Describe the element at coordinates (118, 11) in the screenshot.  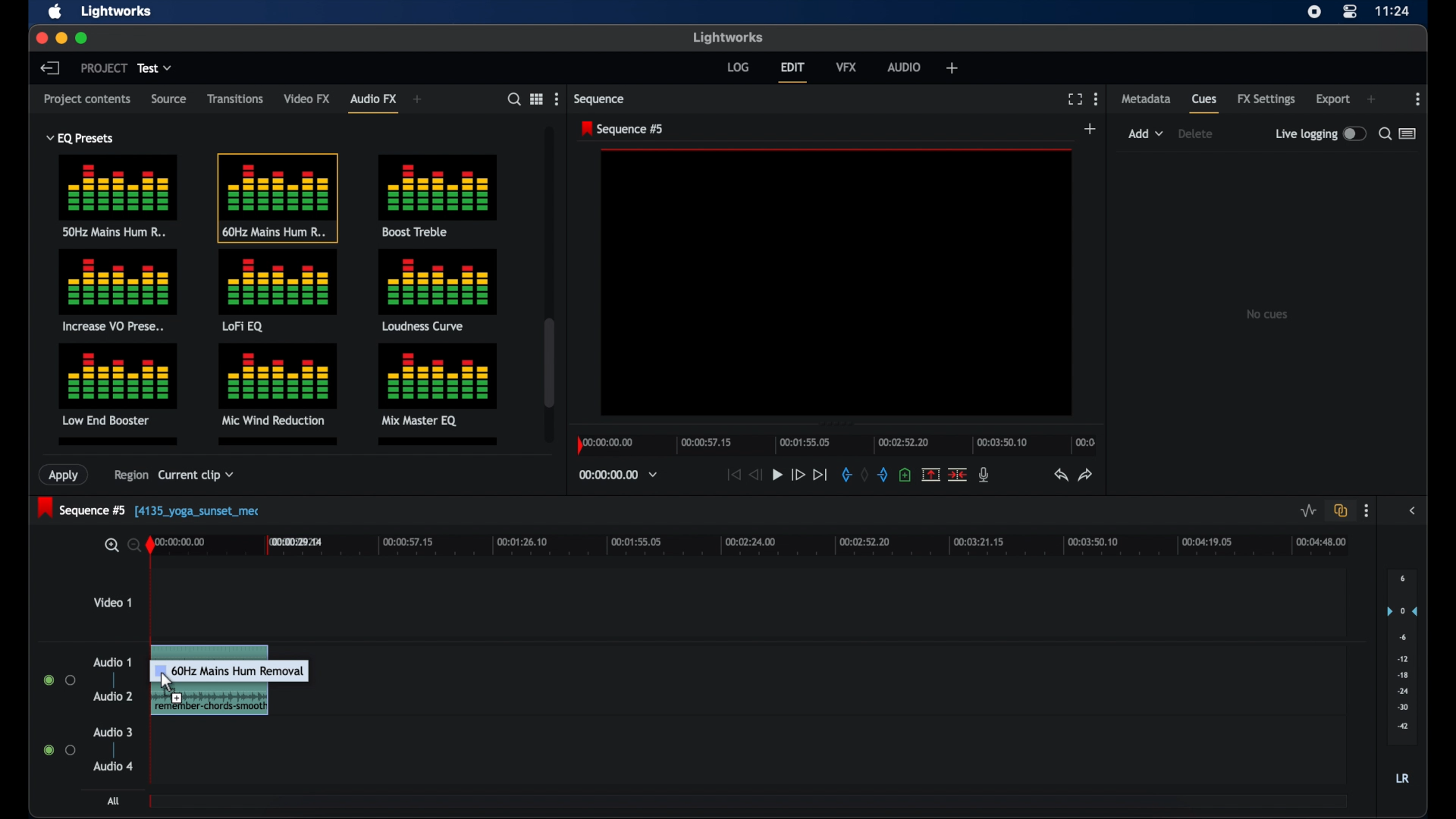
I see `lightworks` at that location.